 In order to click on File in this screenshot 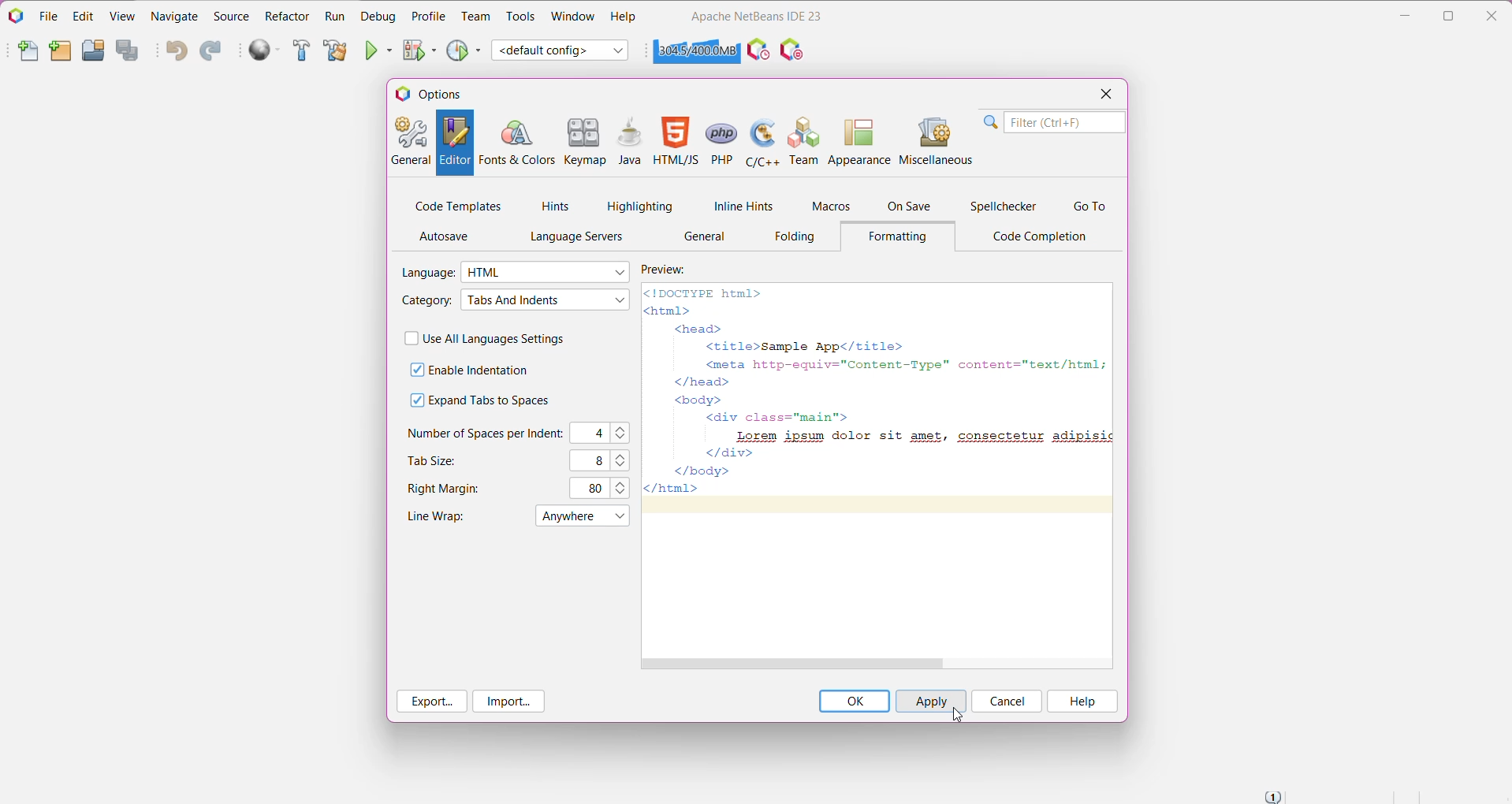, I will do `click(49, 17)`.